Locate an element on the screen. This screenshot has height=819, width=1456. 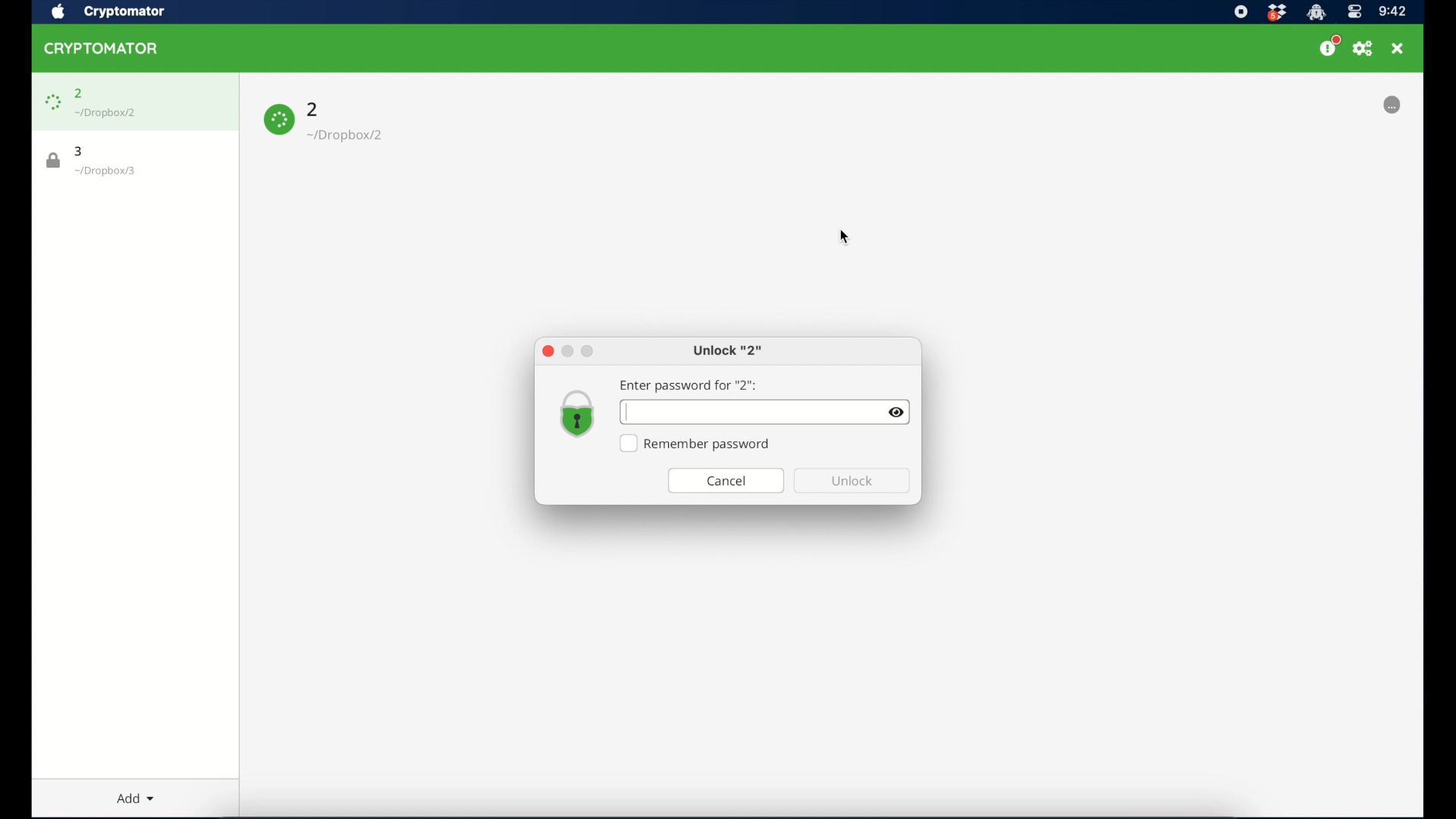
location is located at coordinates (105, 171).